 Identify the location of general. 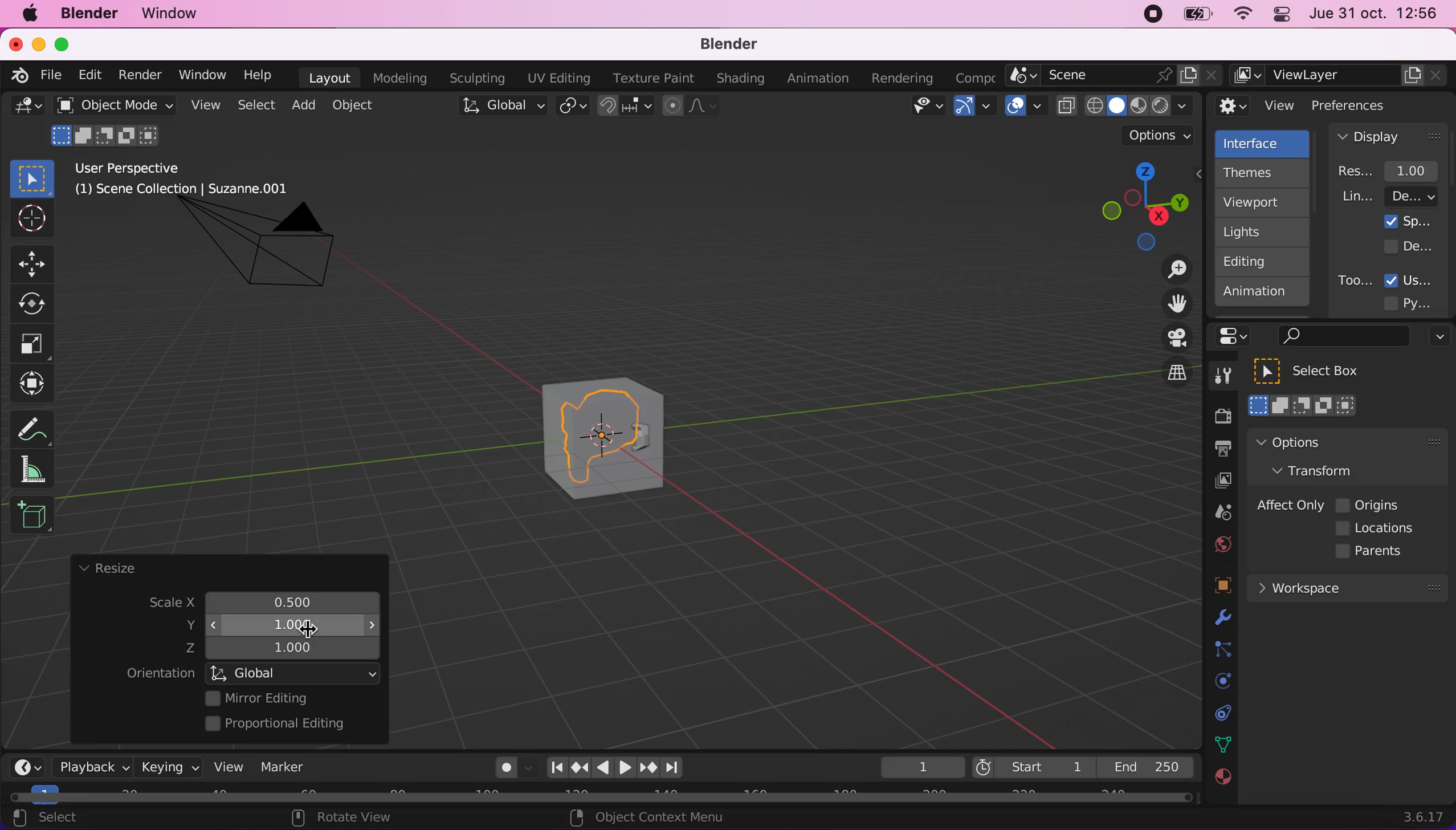
(27, 109).